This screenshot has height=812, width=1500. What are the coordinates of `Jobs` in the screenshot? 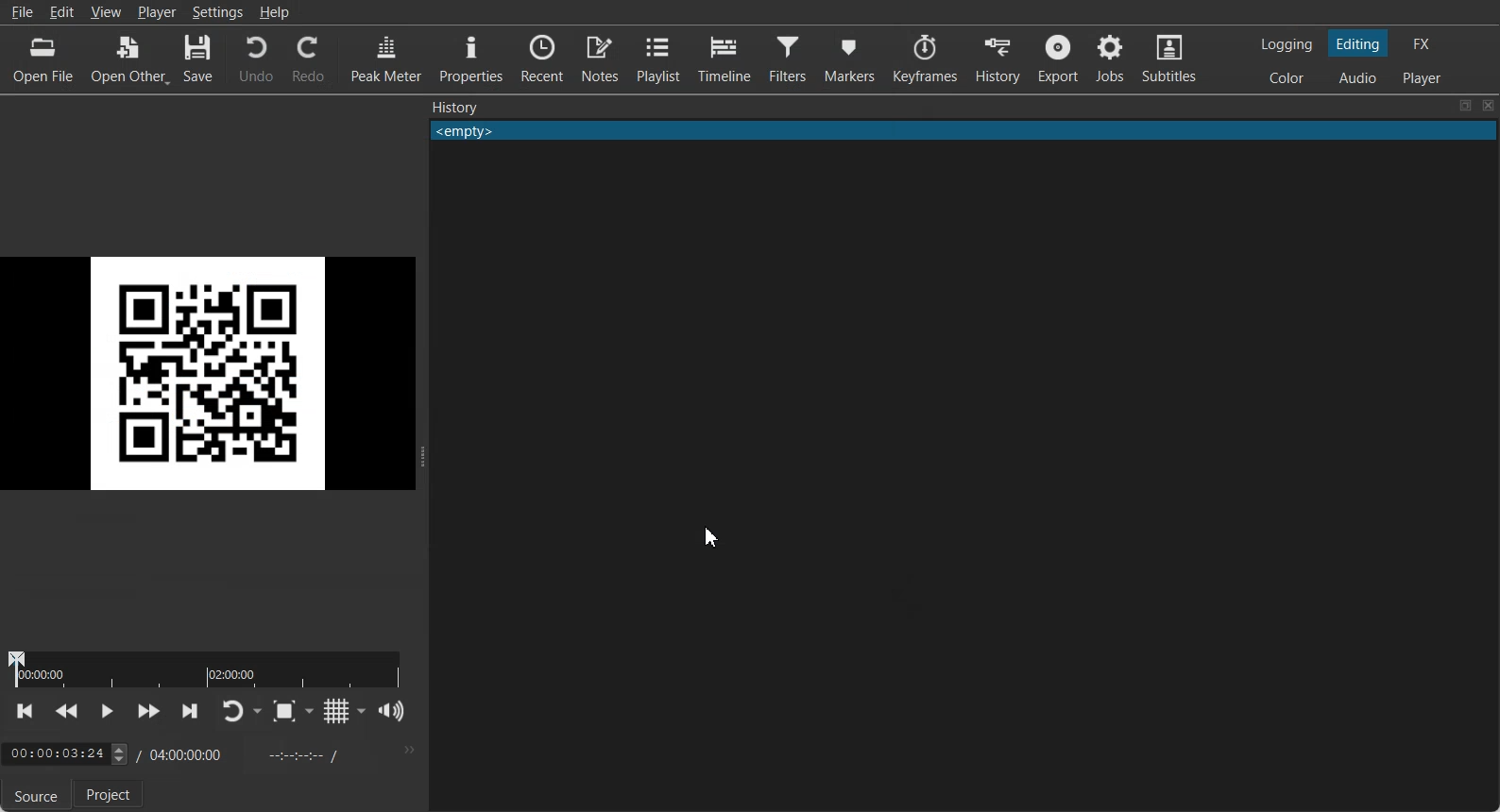 It's located at (1109, 58).